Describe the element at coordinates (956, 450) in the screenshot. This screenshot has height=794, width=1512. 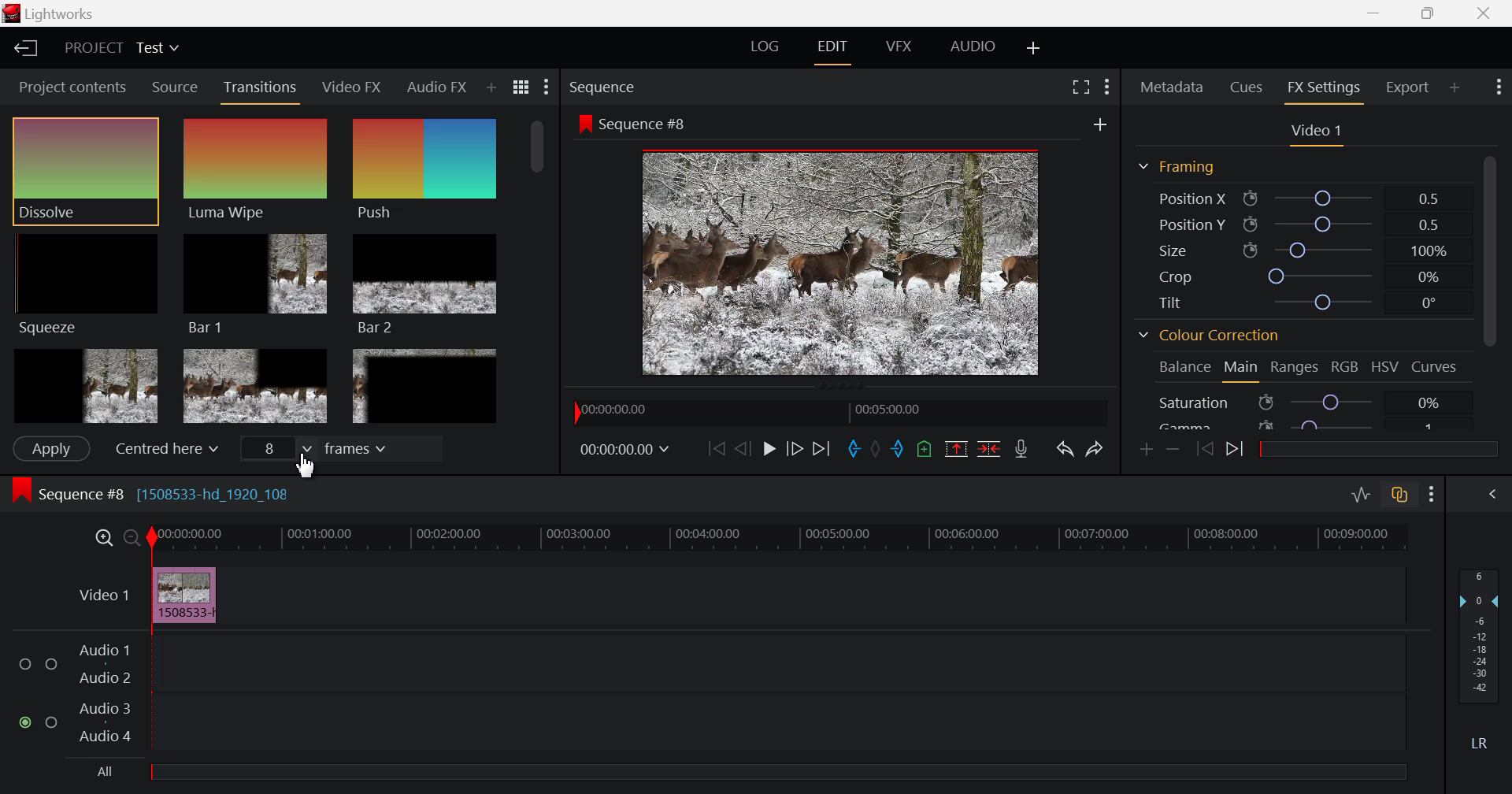
I see `Remove marked section` at that location.